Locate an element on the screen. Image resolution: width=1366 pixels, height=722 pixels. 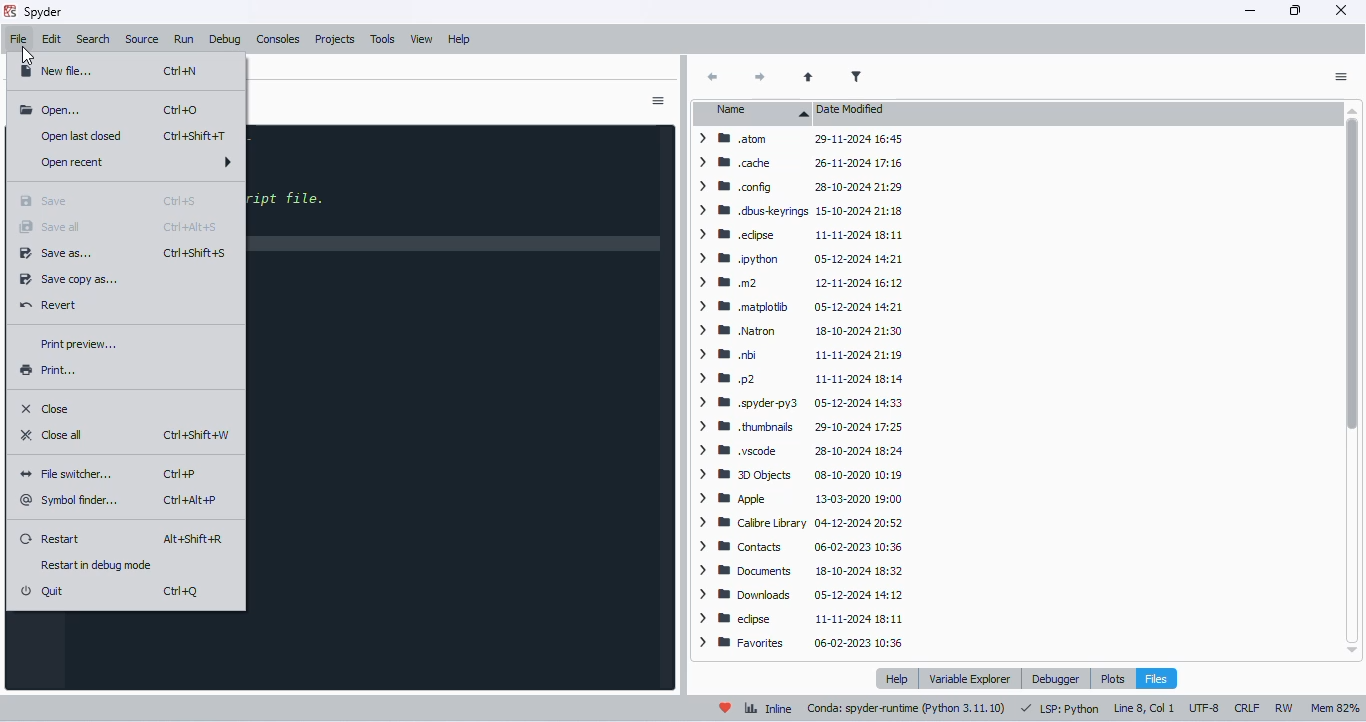
quit is located at coordinates (46, 592).